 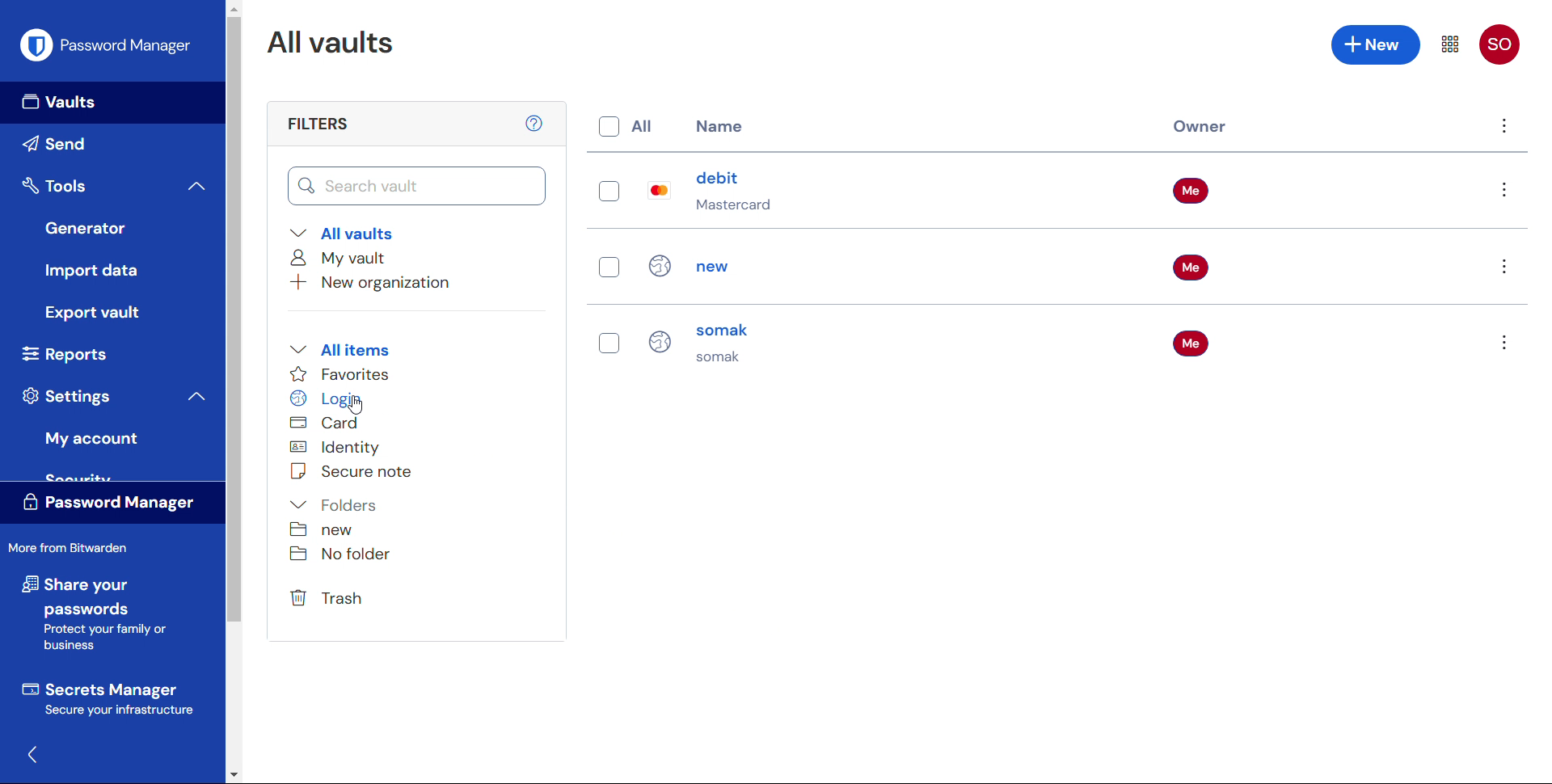 I want to click on Vaults , so click(x=112, y=102).